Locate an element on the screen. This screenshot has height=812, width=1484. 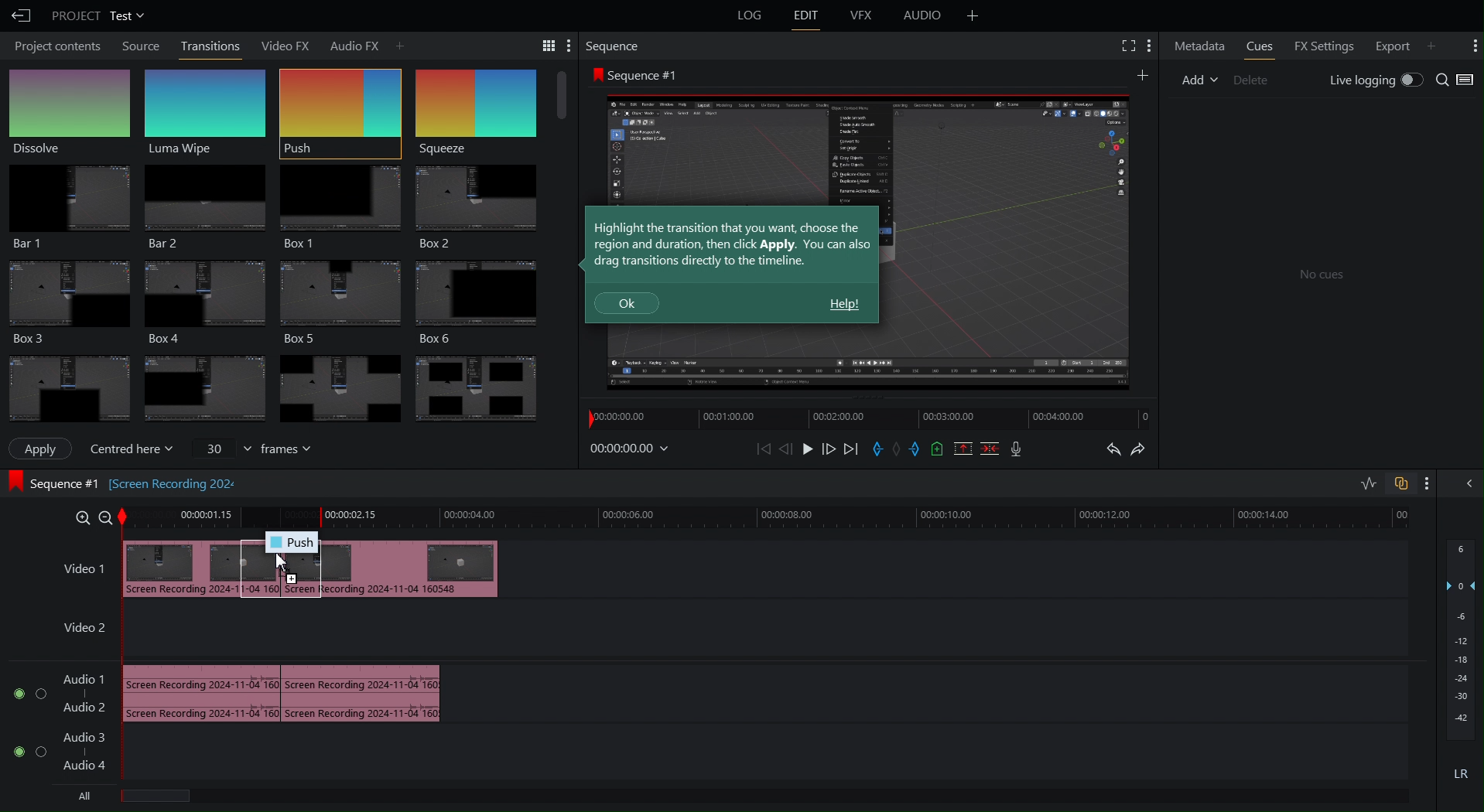
toggle is located at coordinates (39, 752).